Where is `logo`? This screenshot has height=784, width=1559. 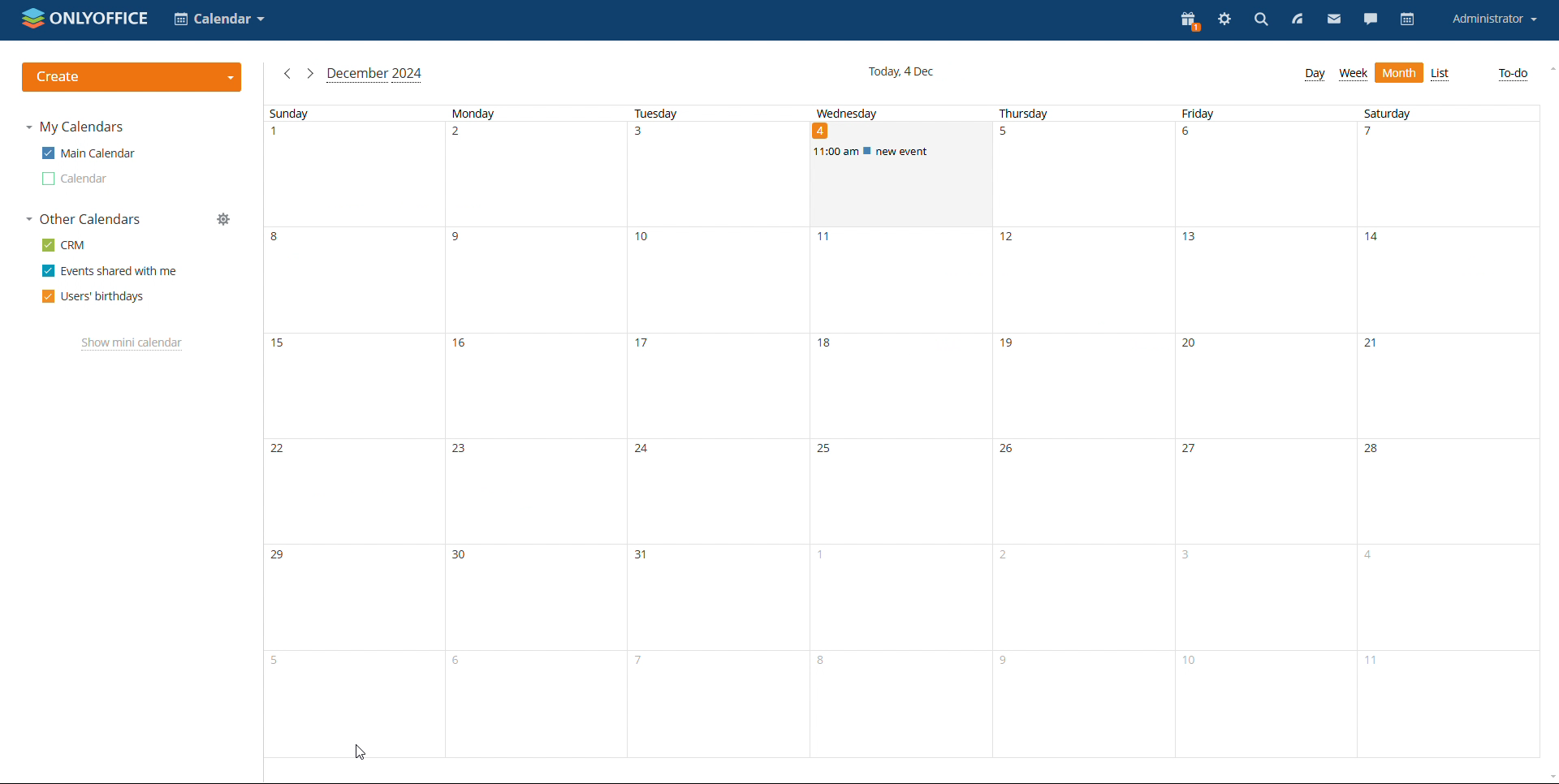 logo is located at coordinates (85, 19).